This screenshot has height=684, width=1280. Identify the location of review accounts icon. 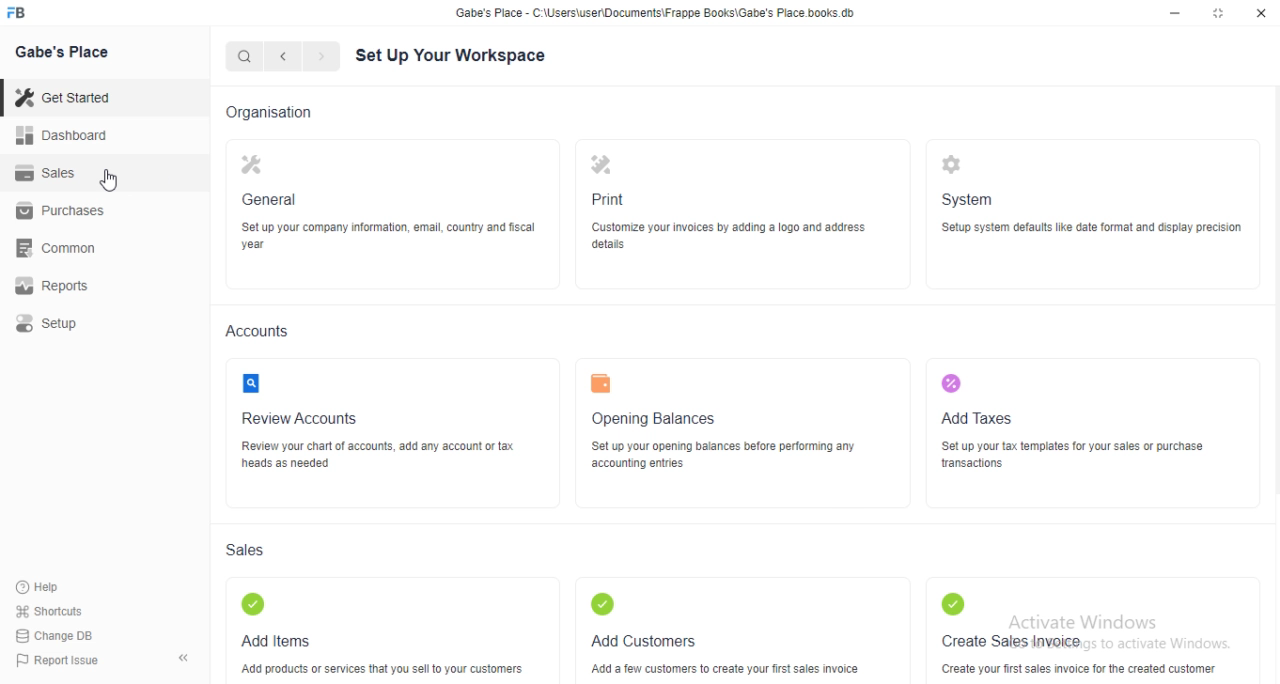
(252, 383).